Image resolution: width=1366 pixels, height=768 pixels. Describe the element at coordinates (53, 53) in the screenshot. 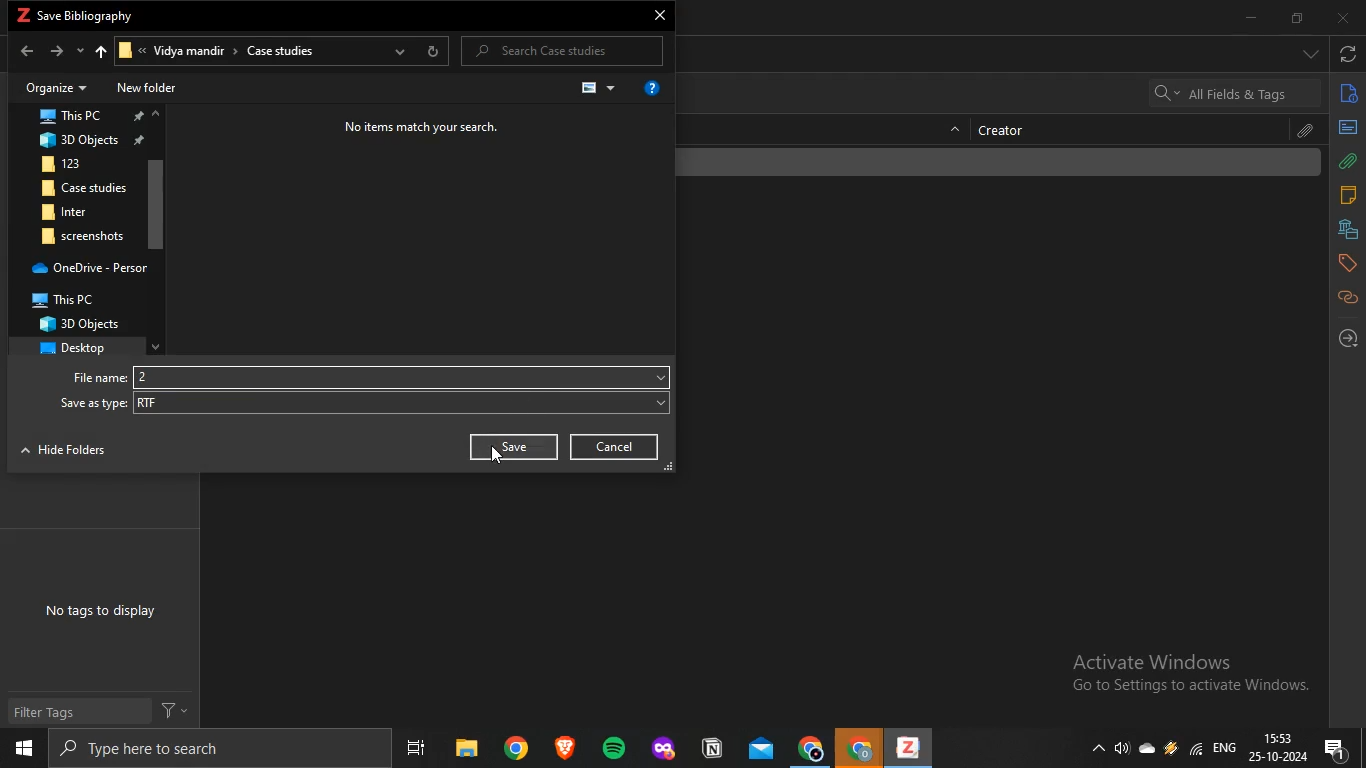

I see `forward` at that location.